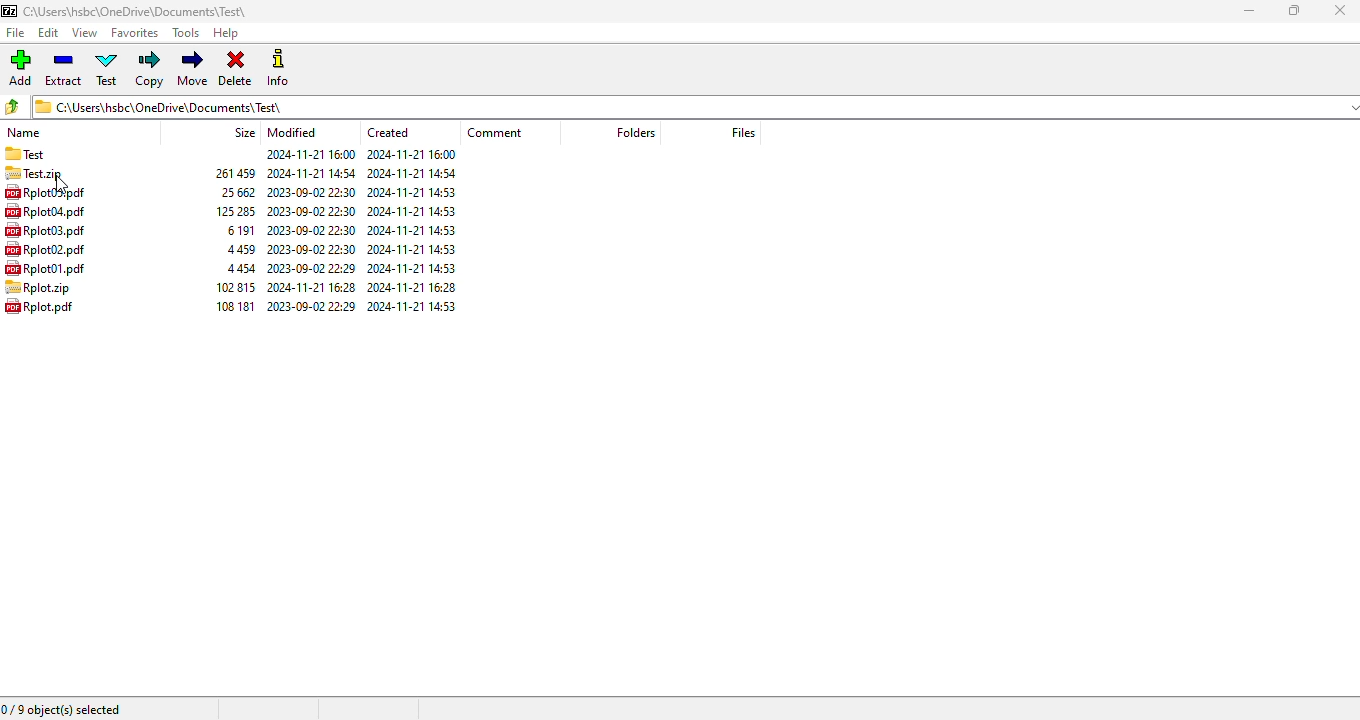  I want to click on modified, so click(293, 133).